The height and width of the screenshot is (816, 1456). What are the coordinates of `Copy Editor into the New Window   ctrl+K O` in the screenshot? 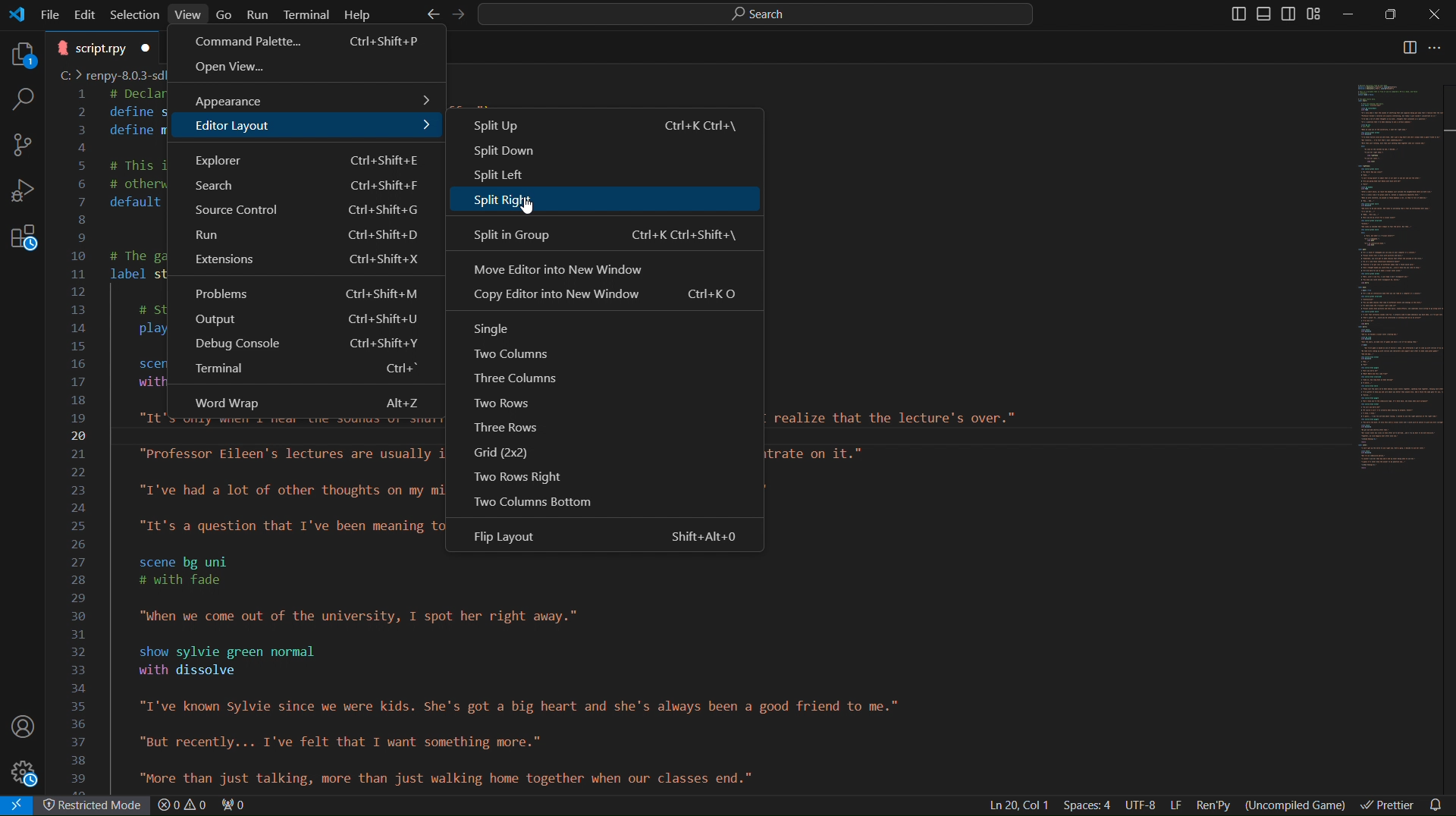 It's located at (606, 300).